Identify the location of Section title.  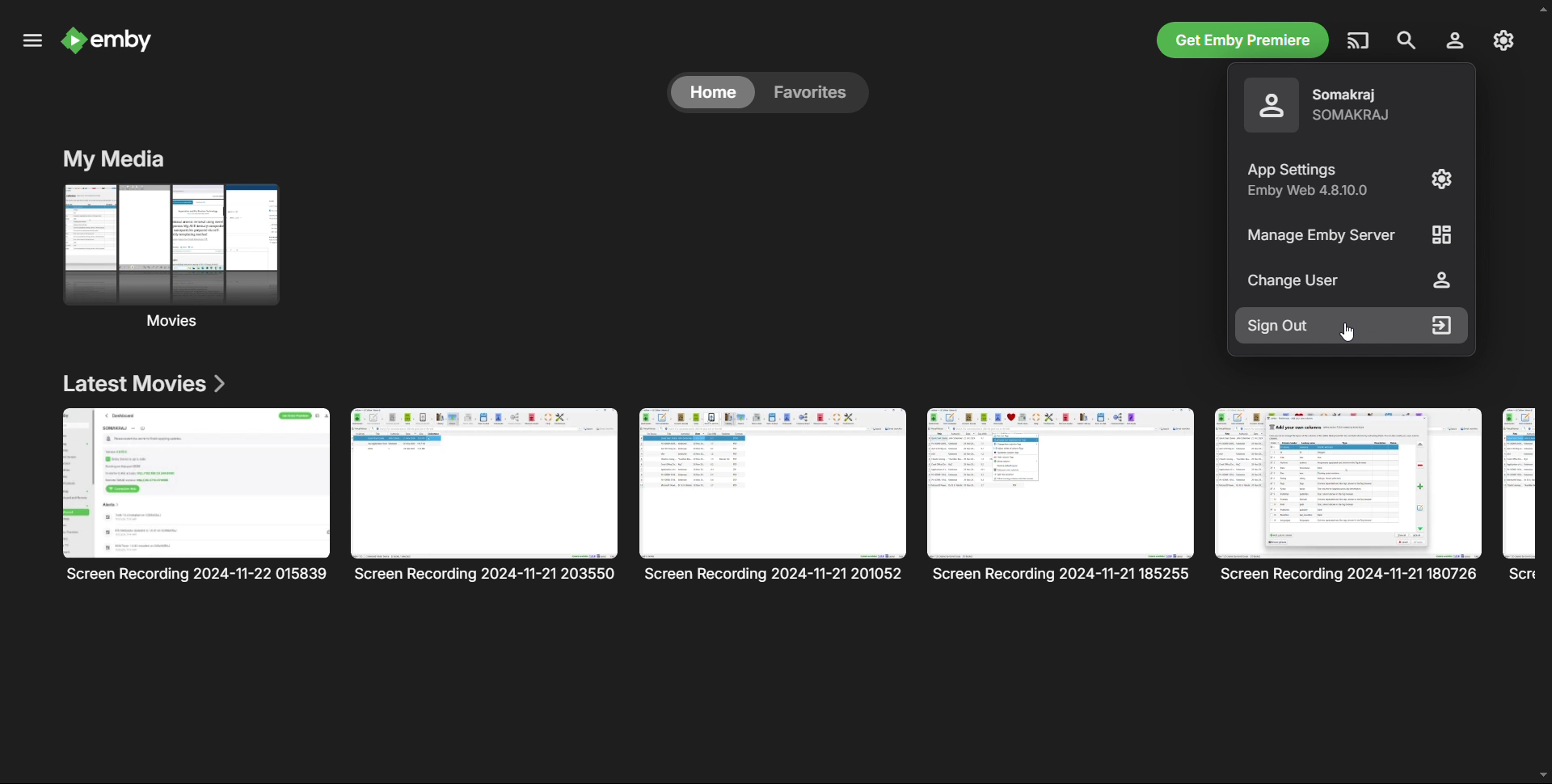
(114, 159).